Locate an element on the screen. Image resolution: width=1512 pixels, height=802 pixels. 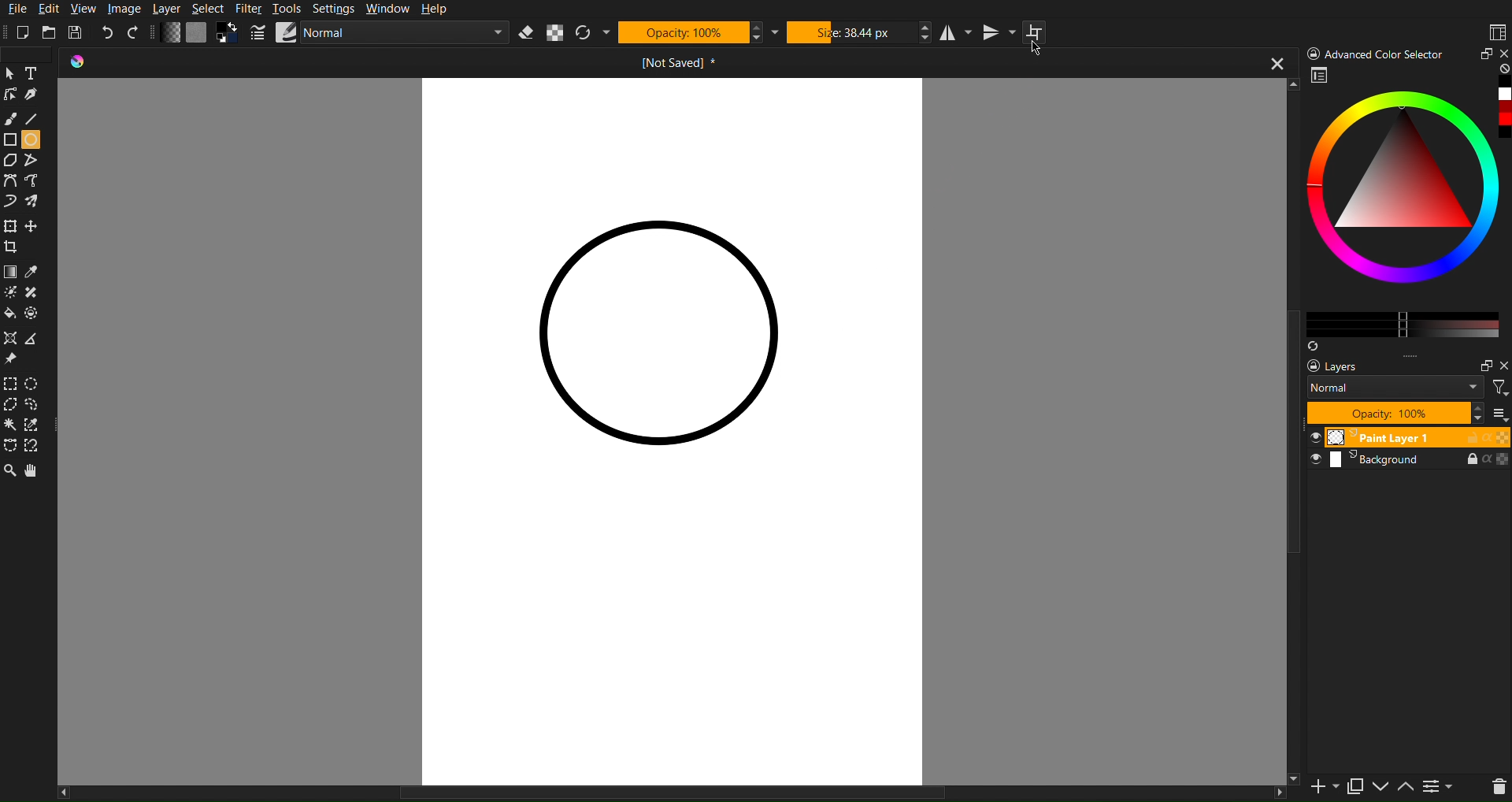
close is located at coordinates (1503, 54).